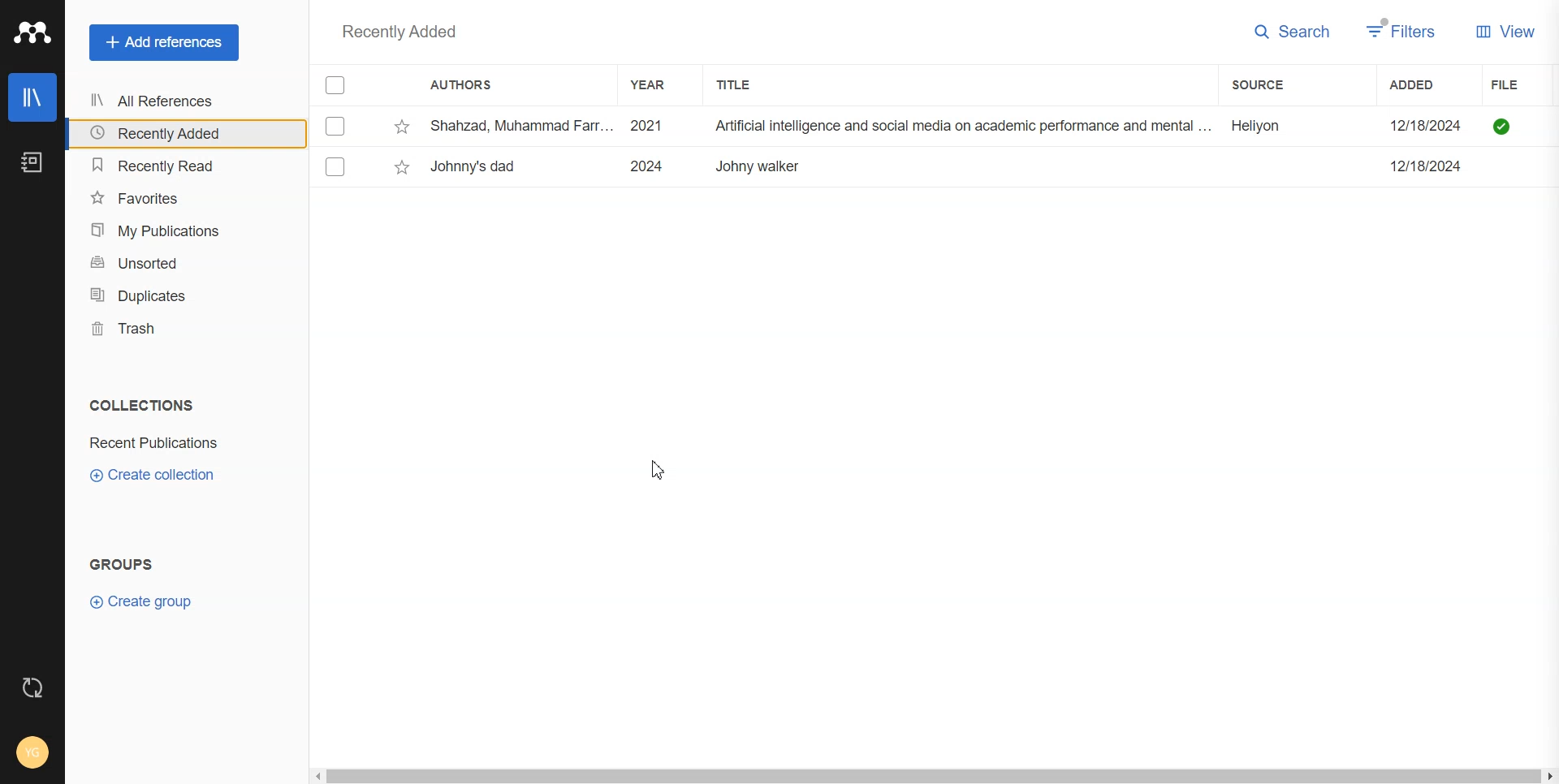  I want to click on Favorites, so click(182, 196).